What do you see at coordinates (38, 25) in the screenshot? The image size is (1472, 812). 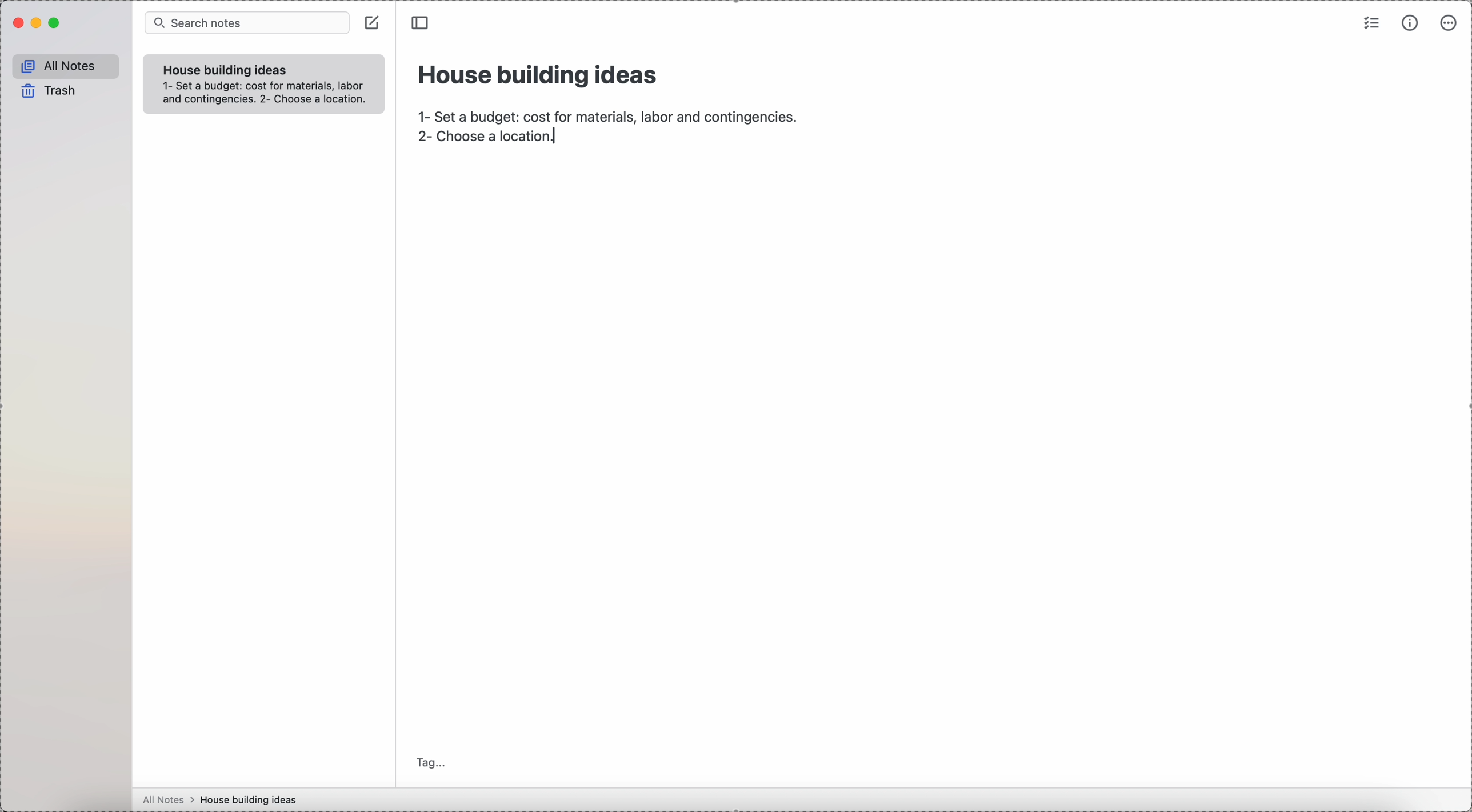 I see `minimize Simplenote` at bounding box center [38, 25].